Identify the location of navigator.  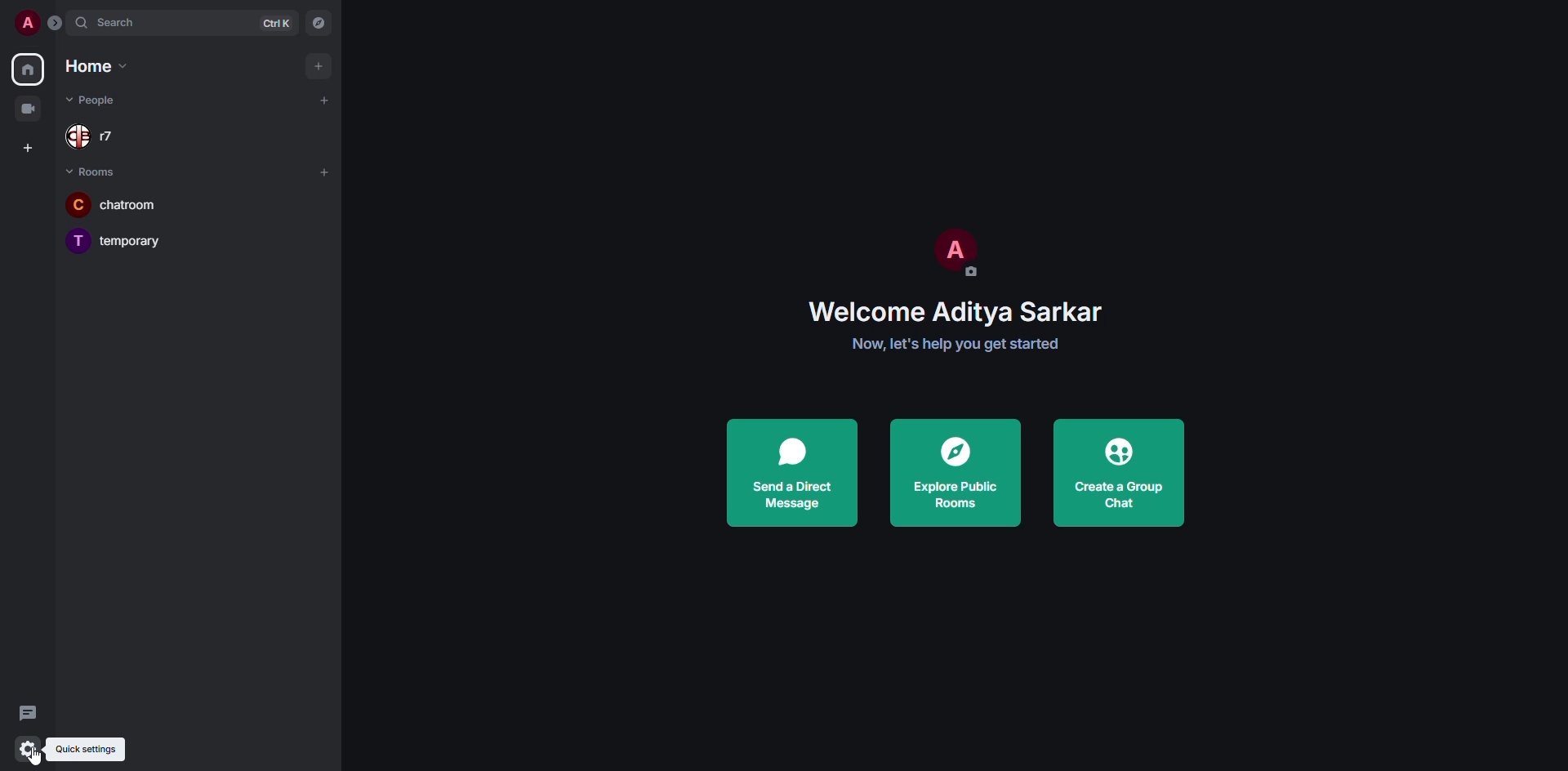
(320, 22).